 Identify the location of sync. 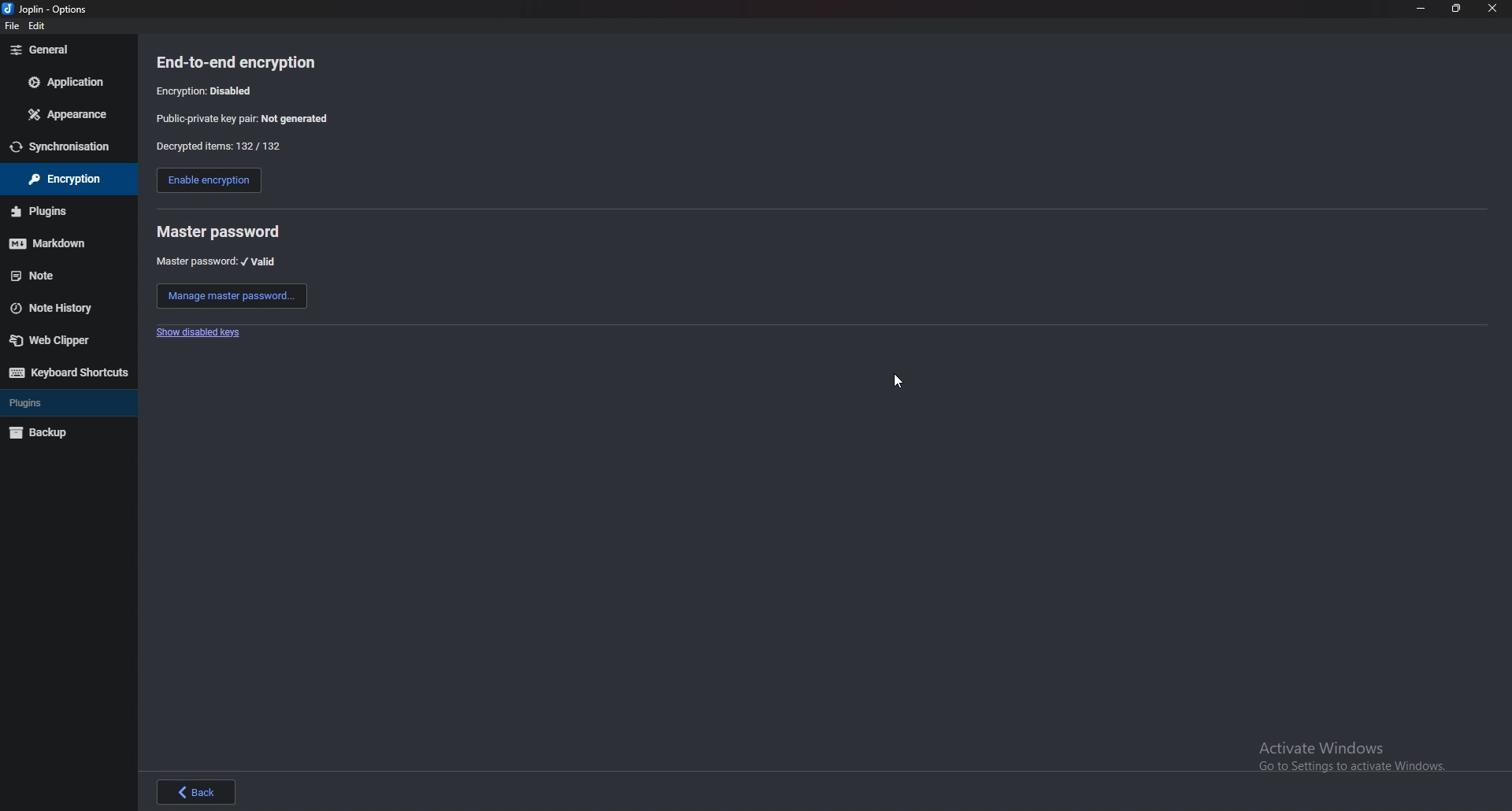
(67, 147).